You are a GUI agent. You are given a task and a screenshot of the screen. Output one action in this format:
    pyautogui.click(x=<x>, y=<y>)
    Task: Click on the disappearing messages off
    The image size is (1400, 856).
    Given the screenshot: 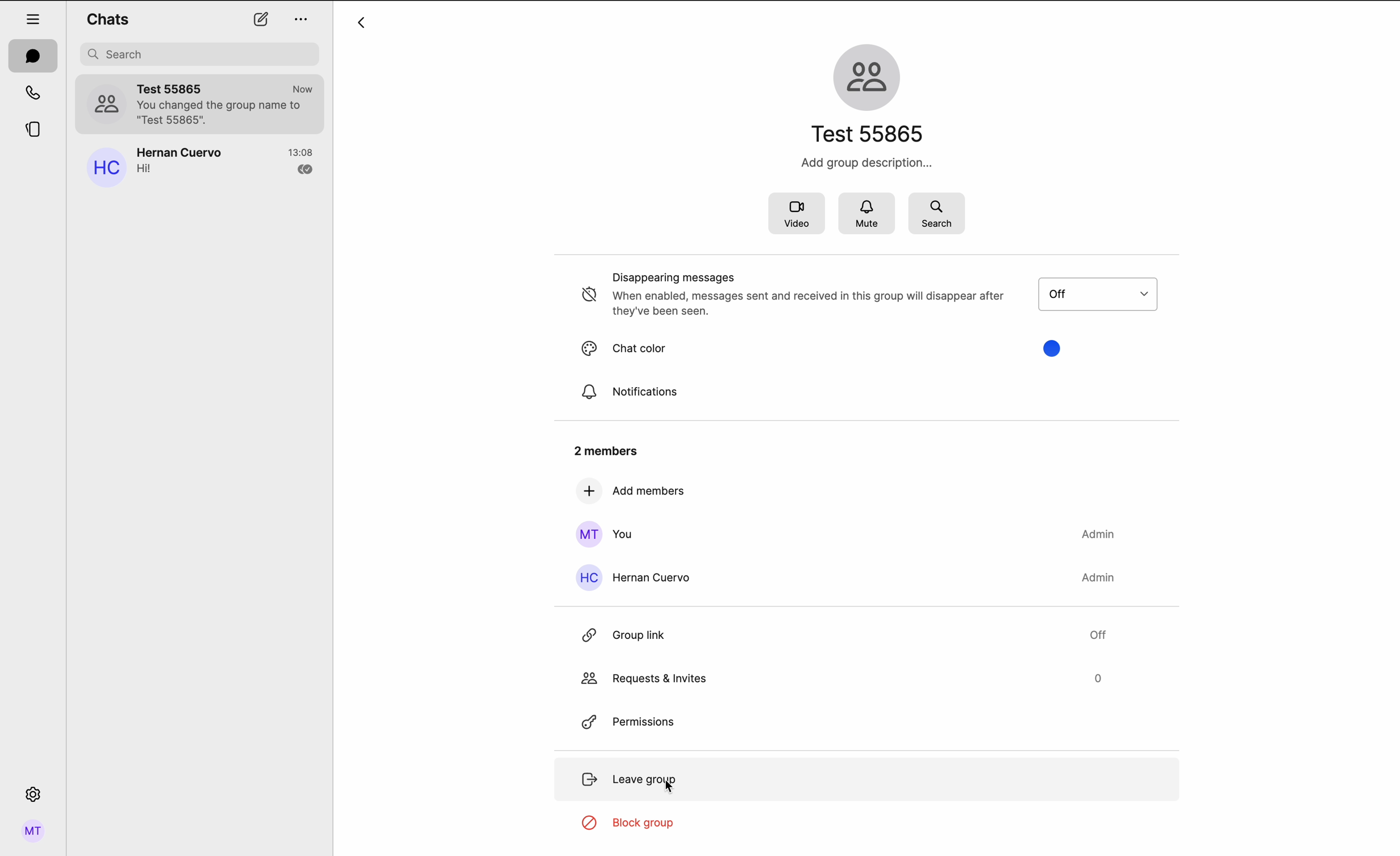 What is the action you would take?
    pyautogui.click(x=794, y=295)
    